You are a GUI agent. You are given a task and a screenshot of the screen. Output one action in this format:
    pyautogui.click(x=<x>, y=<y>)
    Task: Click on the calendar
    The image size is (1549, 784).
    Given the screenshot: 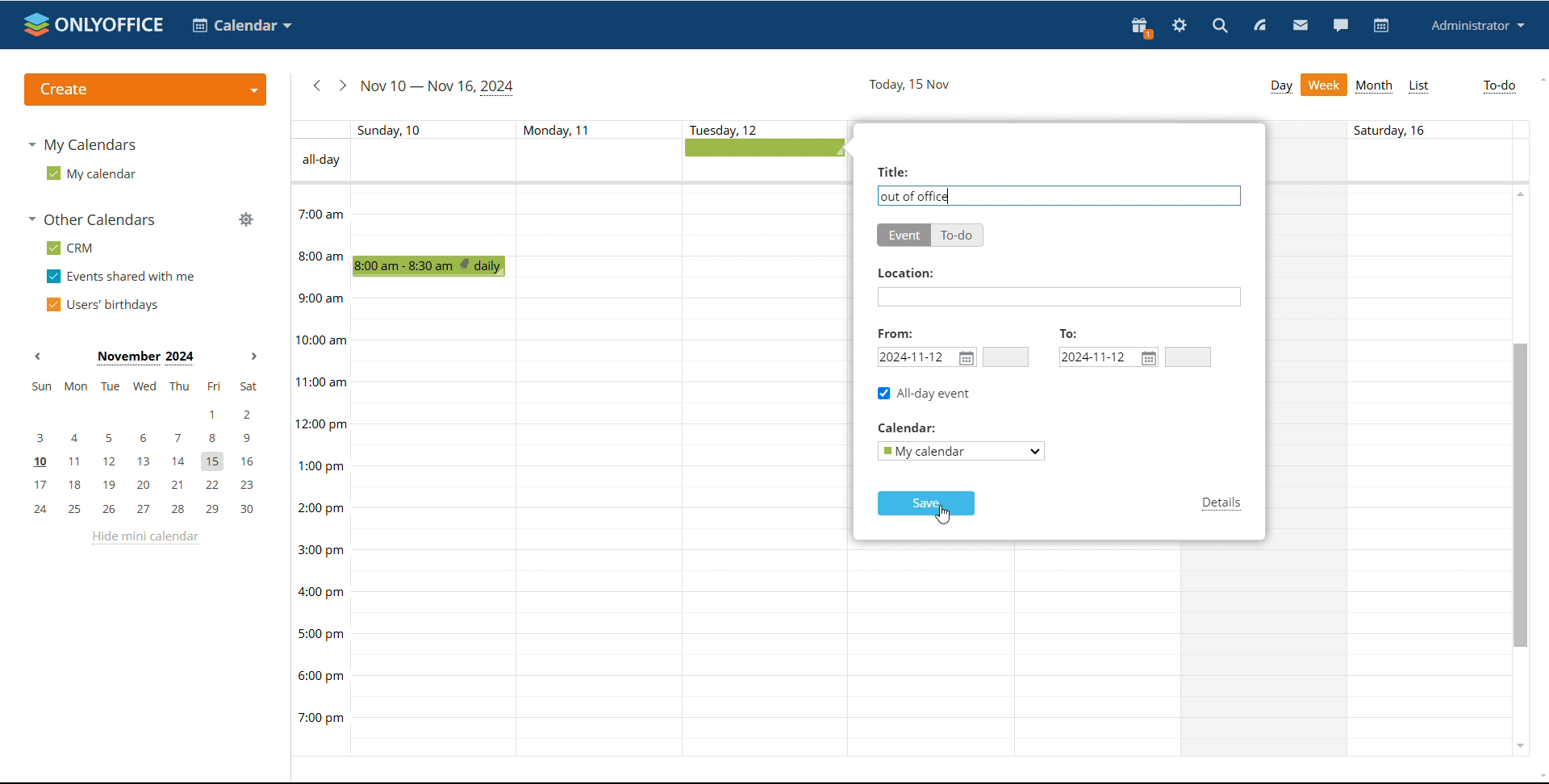 What is the action you would take?
    pyautogui.click(x=1380, y=26)
    